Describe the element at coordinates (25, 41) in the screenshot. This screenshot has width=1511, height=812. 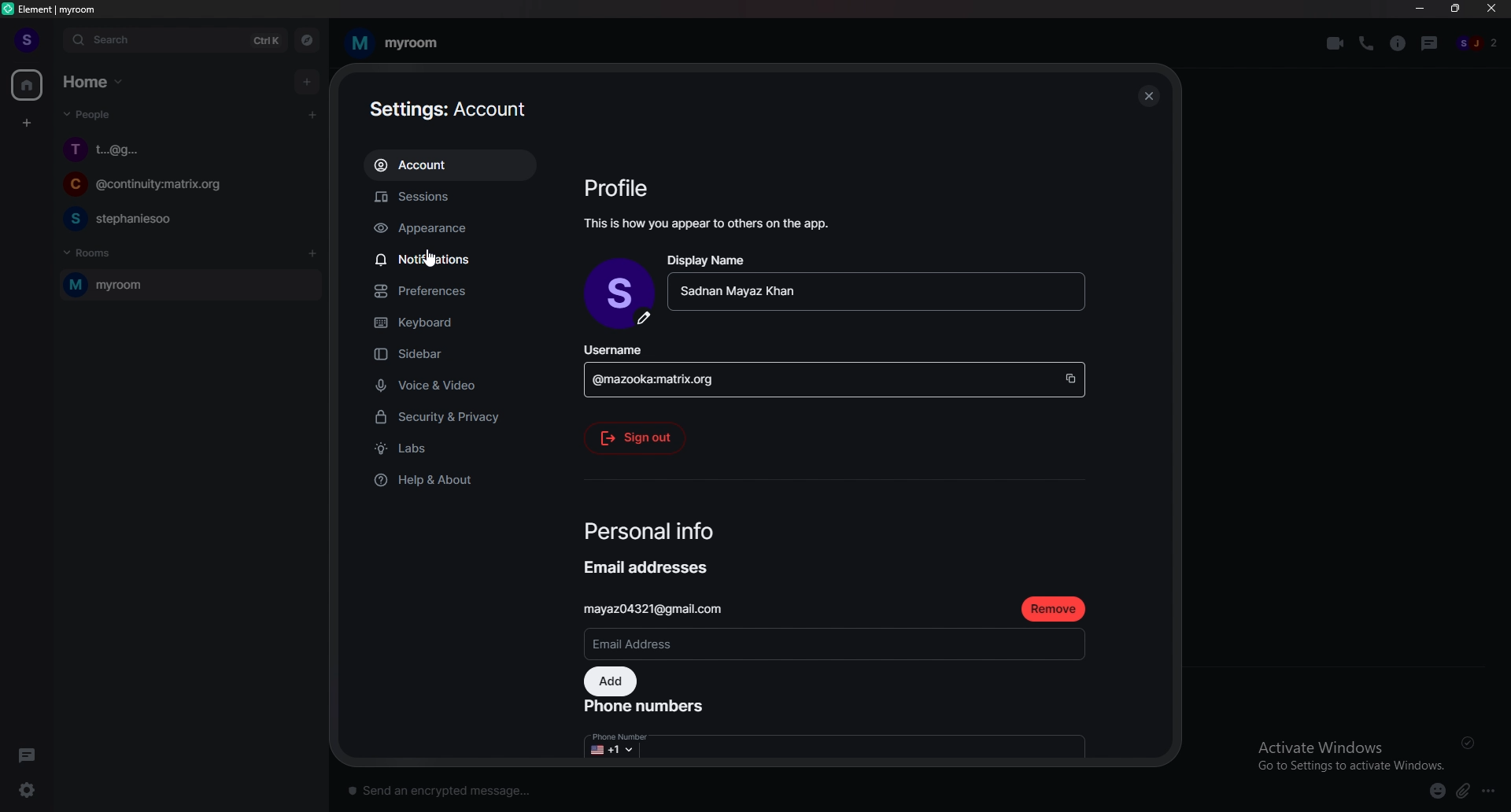
I see `profile` at that location.